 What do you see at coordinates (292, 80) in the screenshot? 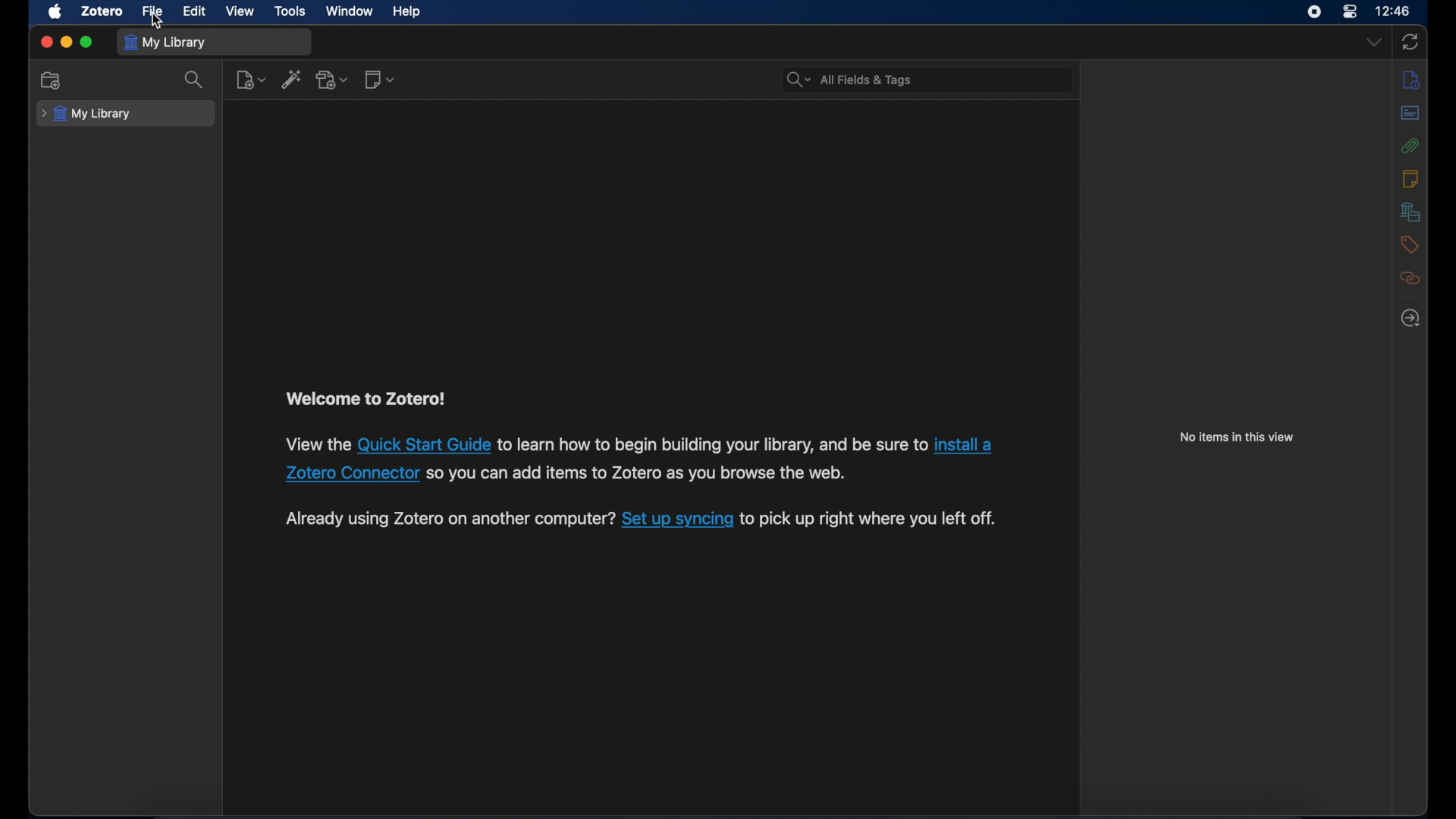
I see `add item by identifier` at bounding box center [292, 80].